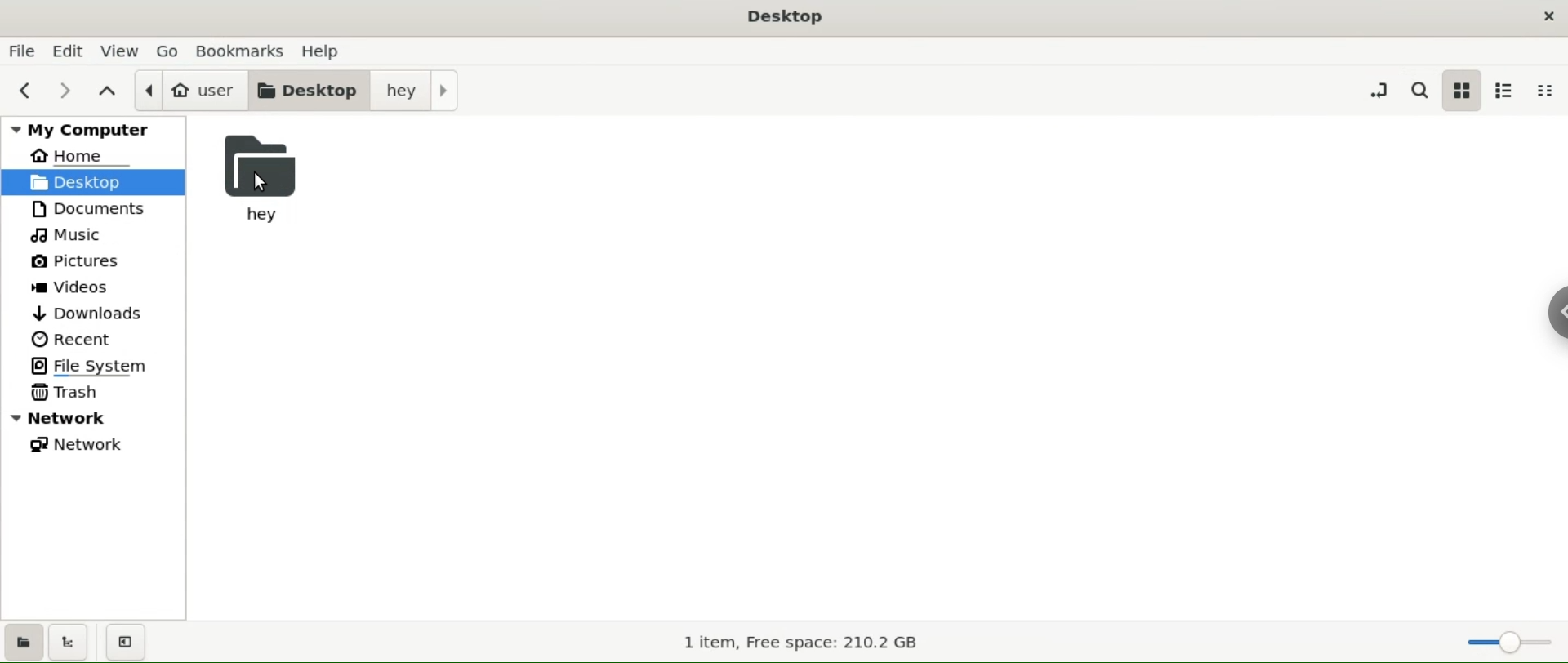  I want to click on go, so click(167, 50).